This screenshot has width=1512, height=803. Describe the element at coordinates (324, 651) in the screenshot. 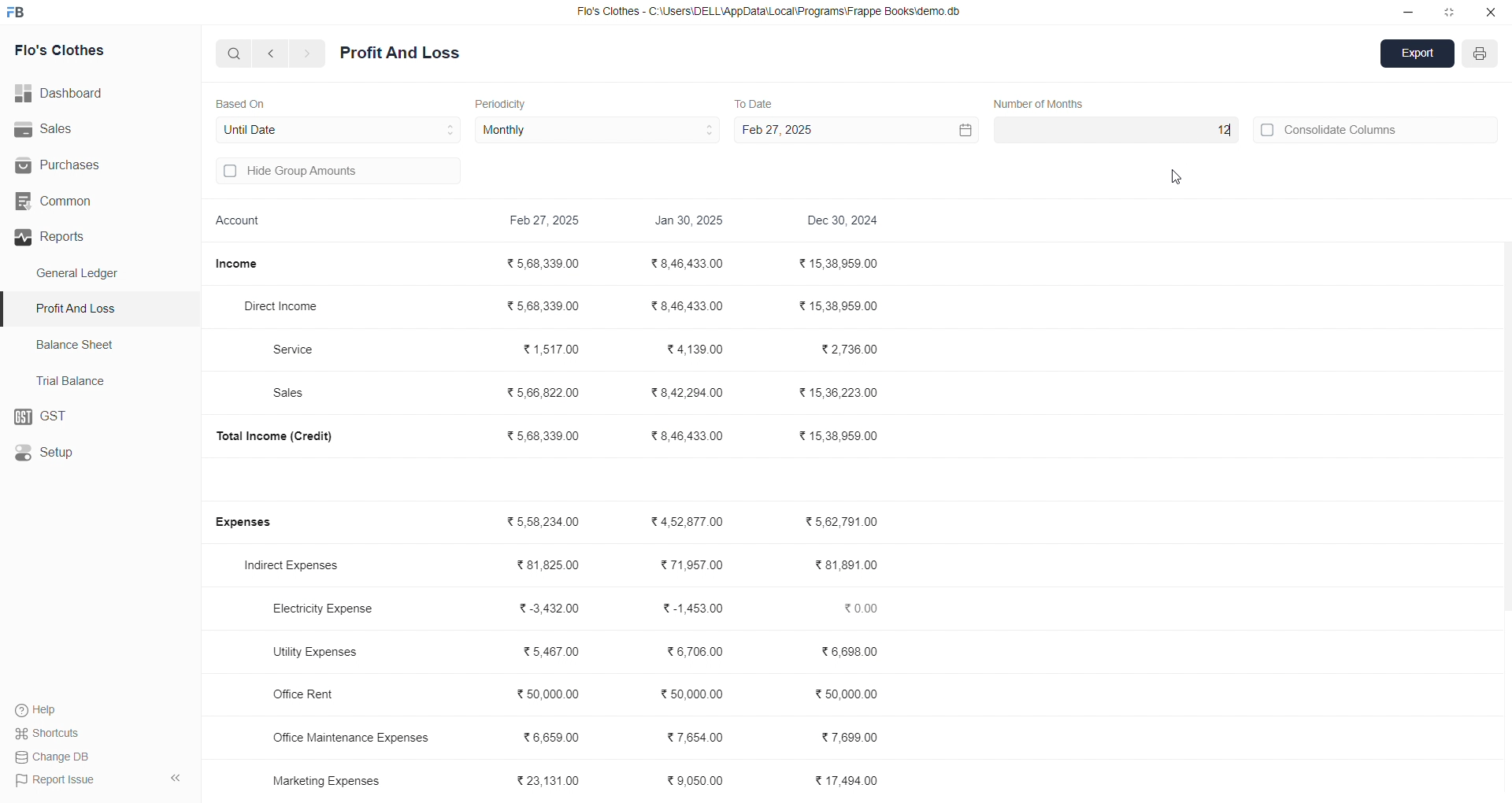

I see `Utility Expenses.` at that location.